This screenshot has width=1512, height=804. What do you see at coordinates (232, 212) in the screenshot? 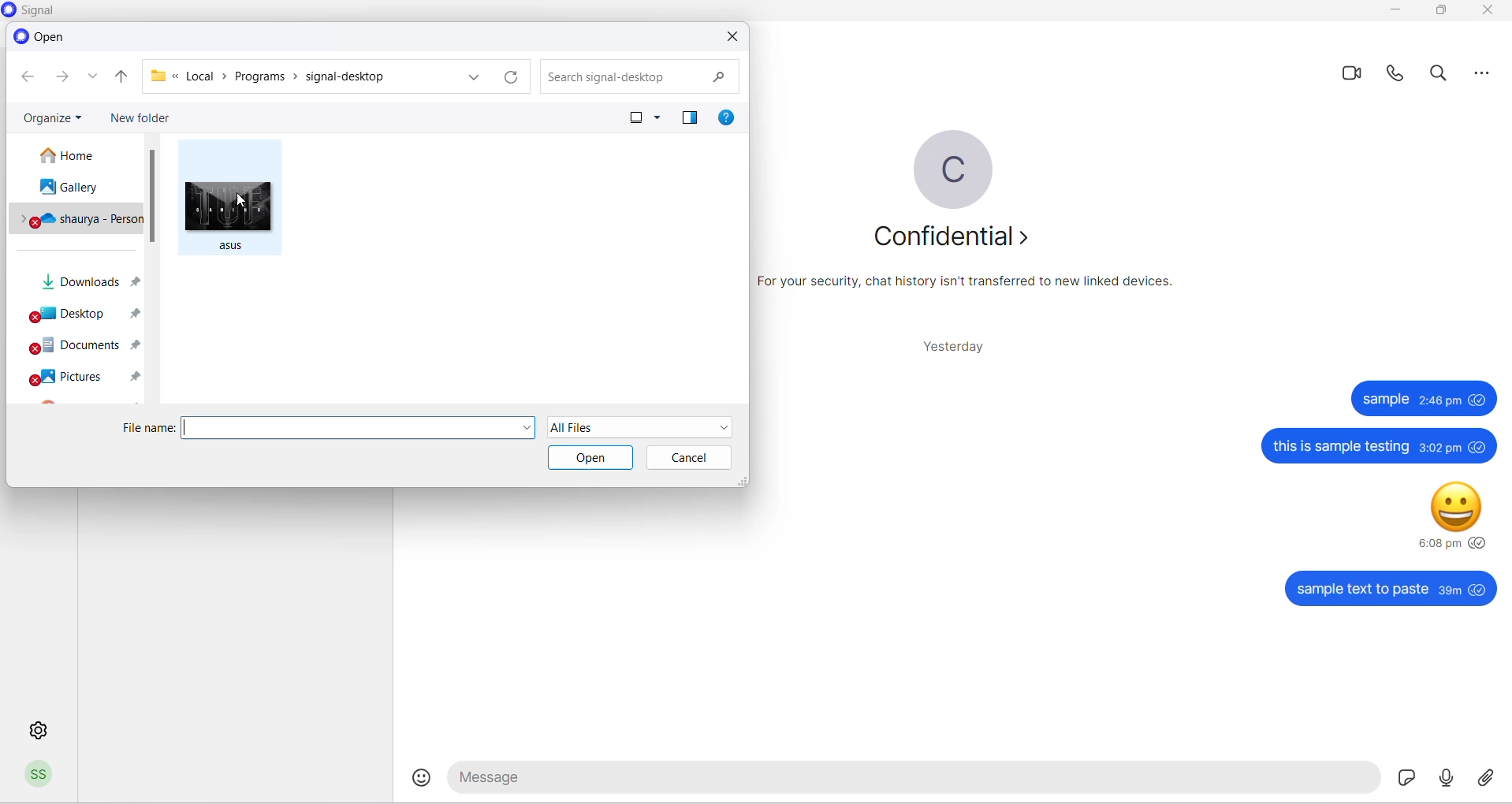
I see `file` at bounding box center [232, 212].